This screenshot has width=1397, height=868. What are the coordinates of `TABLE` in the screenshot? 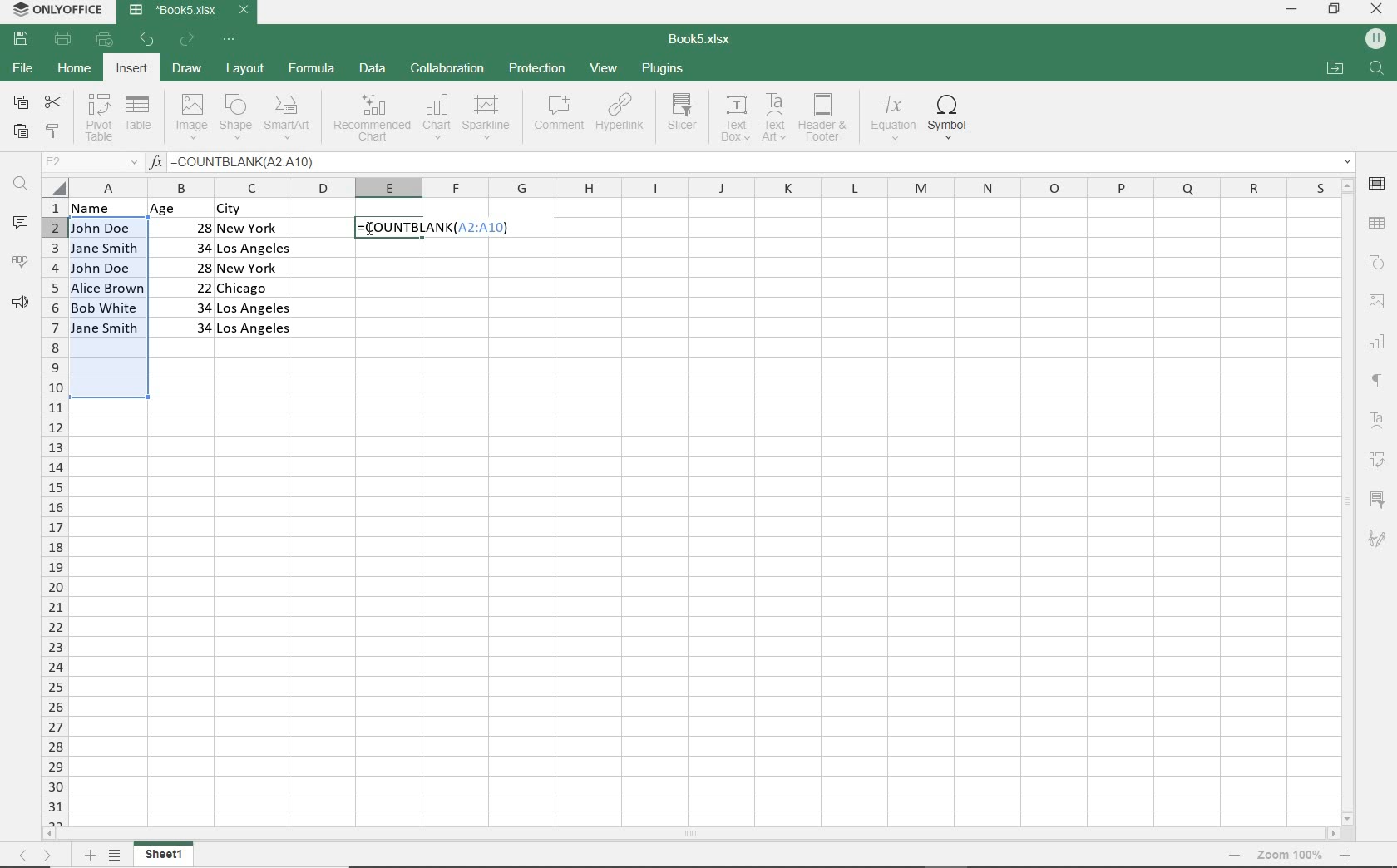 It's located at (140, 118).